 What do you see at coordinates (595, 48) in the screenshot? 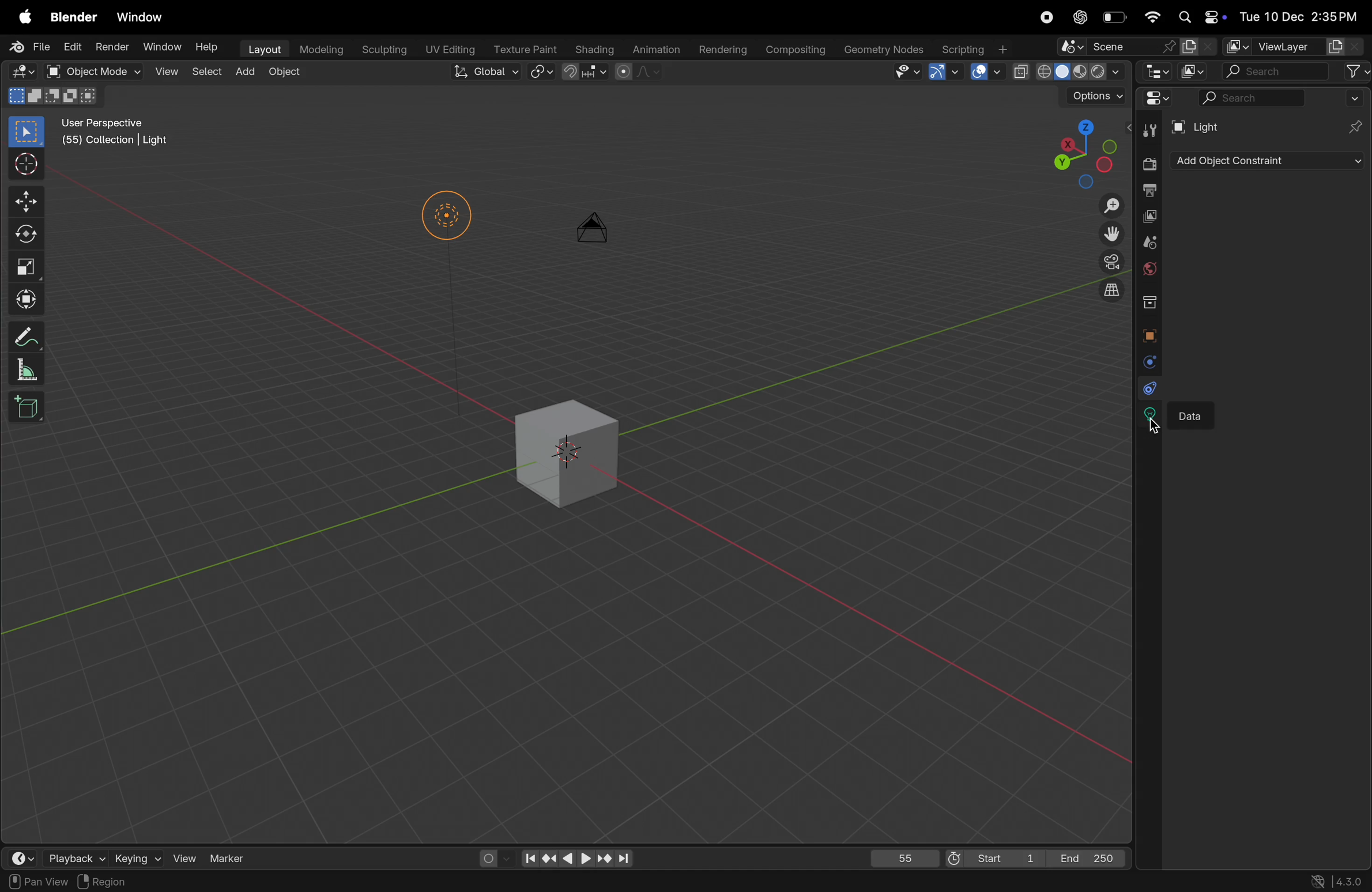
I see `shading` at bounding box center [595, 48].